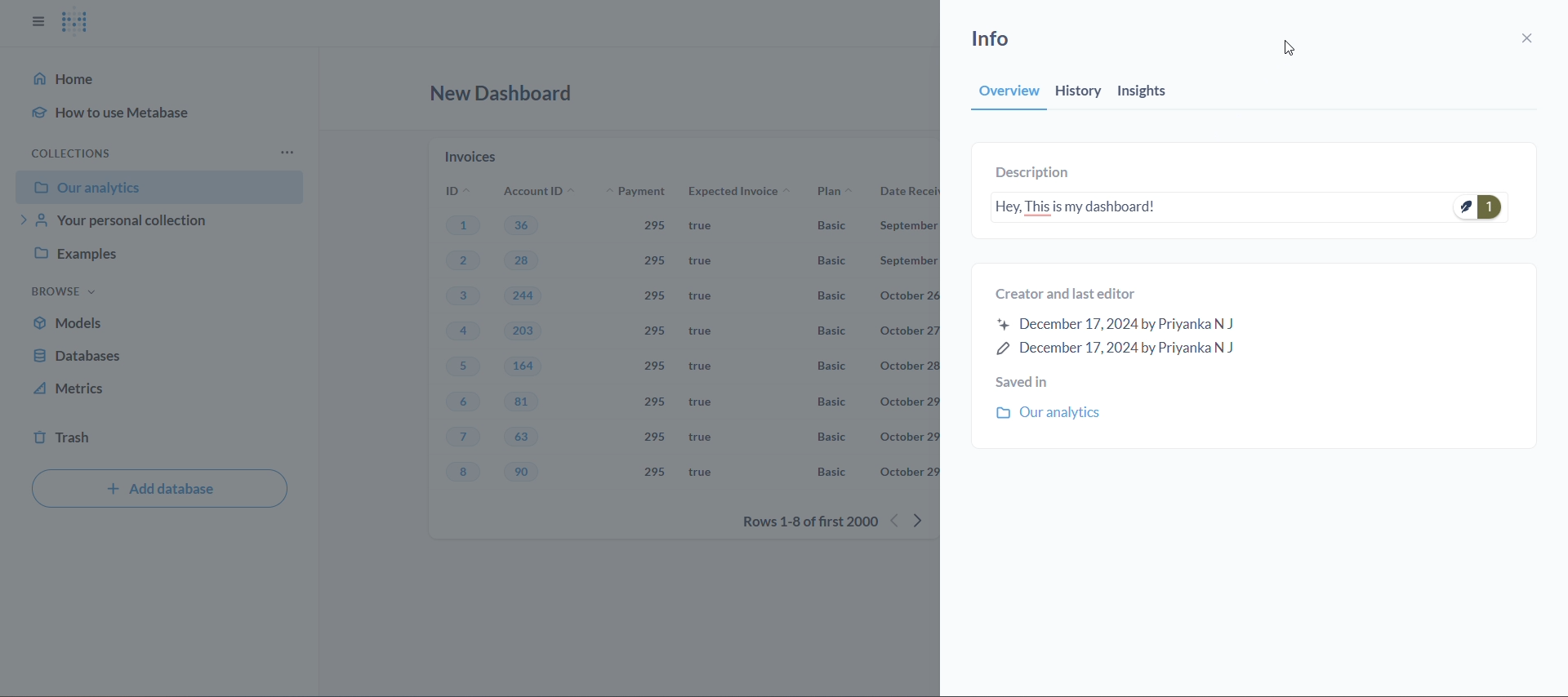 The width and height of the screenshot is (1568, 697). I want to click on Basic, so click(827, 472).